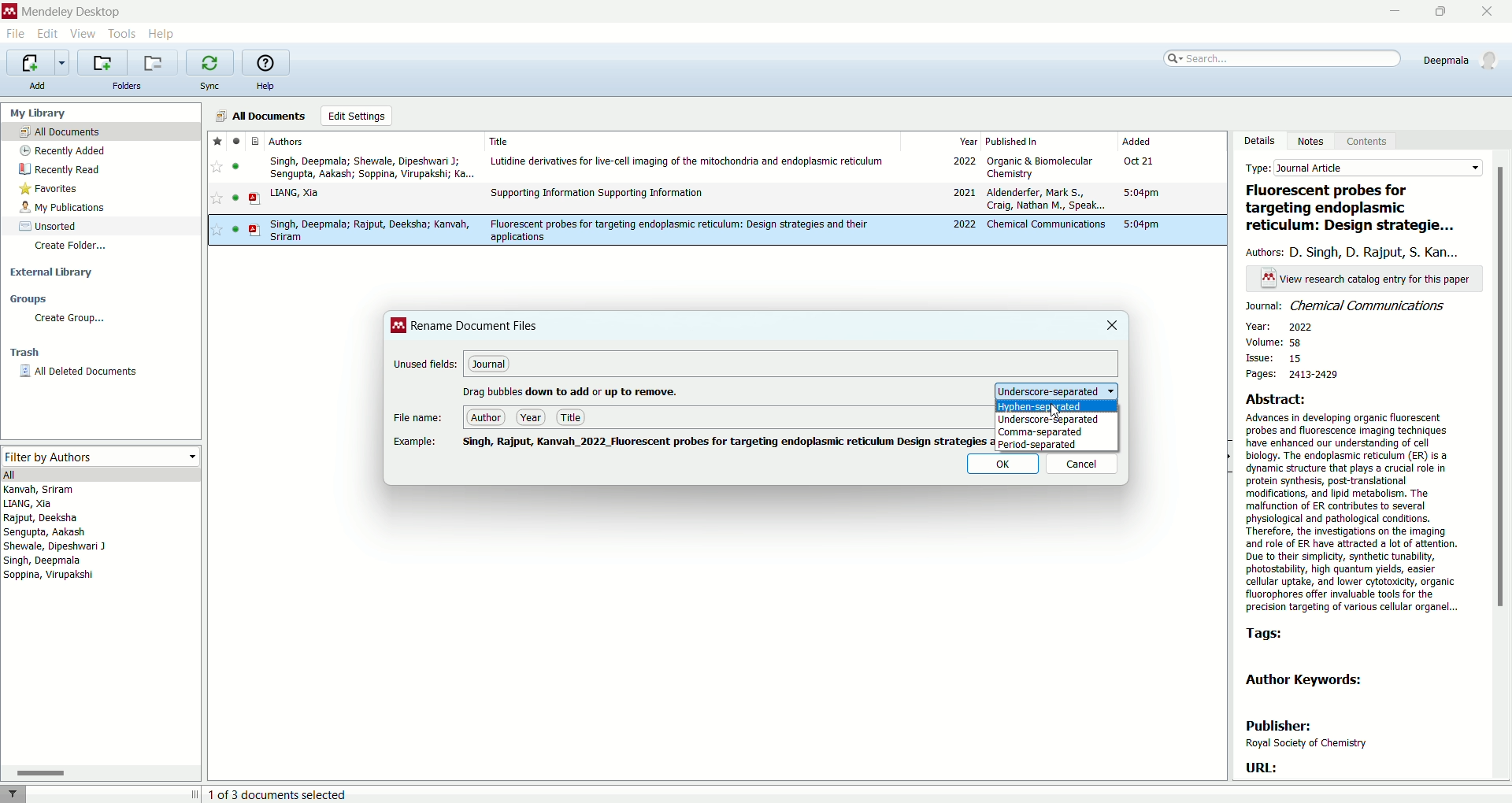 The width and height of the screenshot is (1512, 803). Describe the element at coordinates (698, 442) in the screenshot. I see `pdf name` at that location.